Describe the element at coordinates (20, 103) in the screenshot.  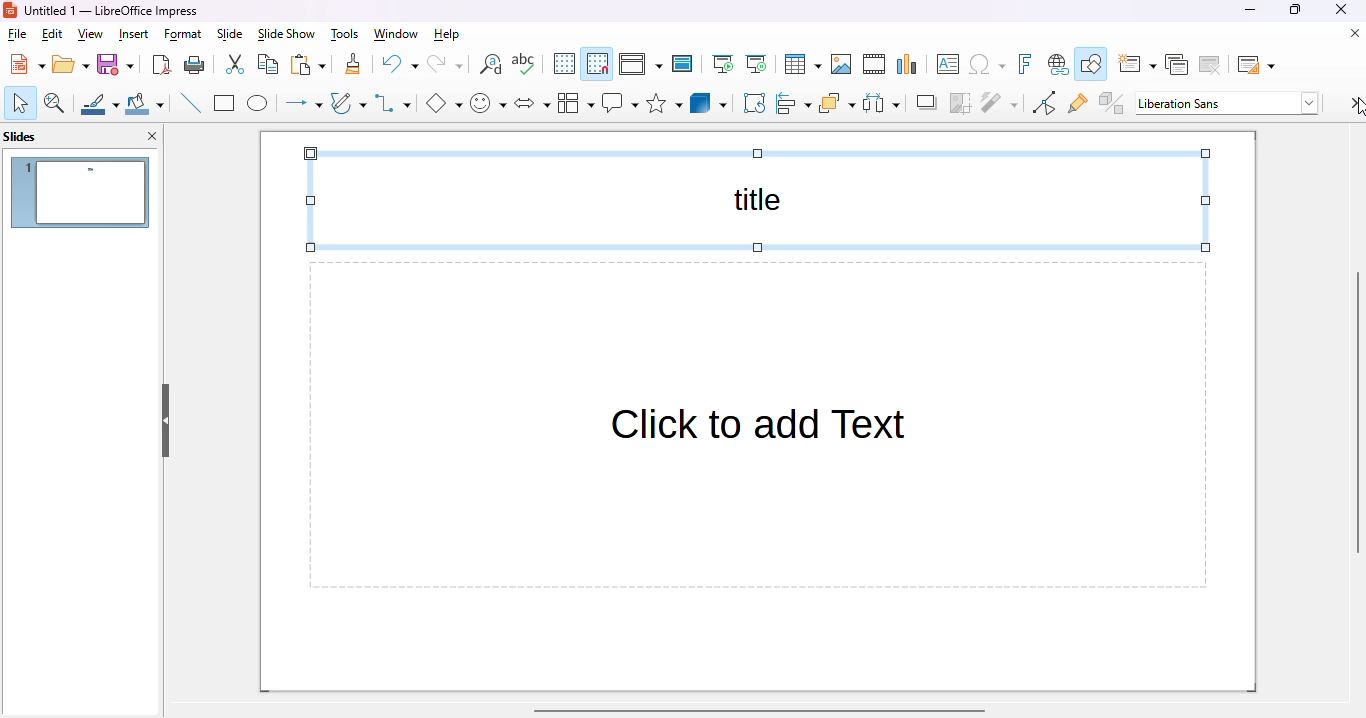
I see `select` at that location.